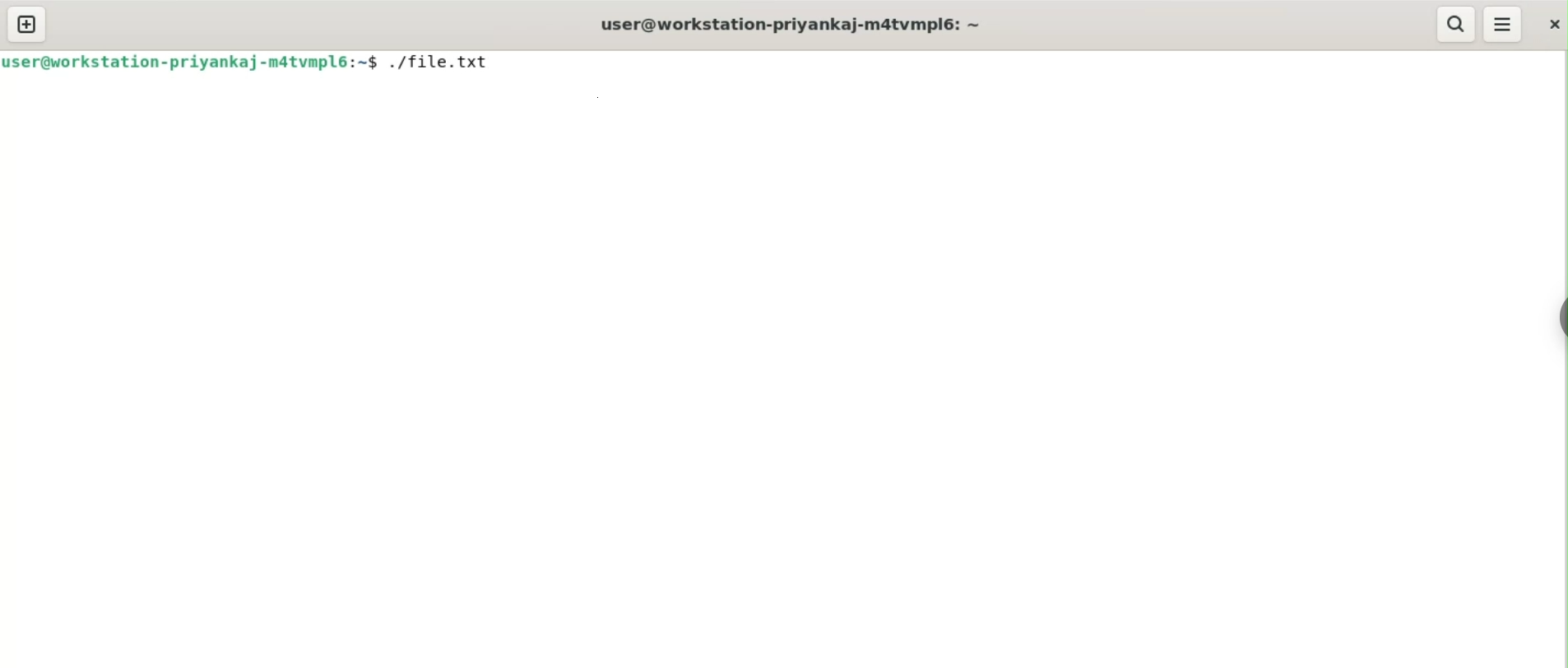 Image resolution: width=1568 pixels, height=668 pixels. What do you see at coordinates (446, 62) in the screenshot?
I see `./file.txt` at bounding box center [446, 62].